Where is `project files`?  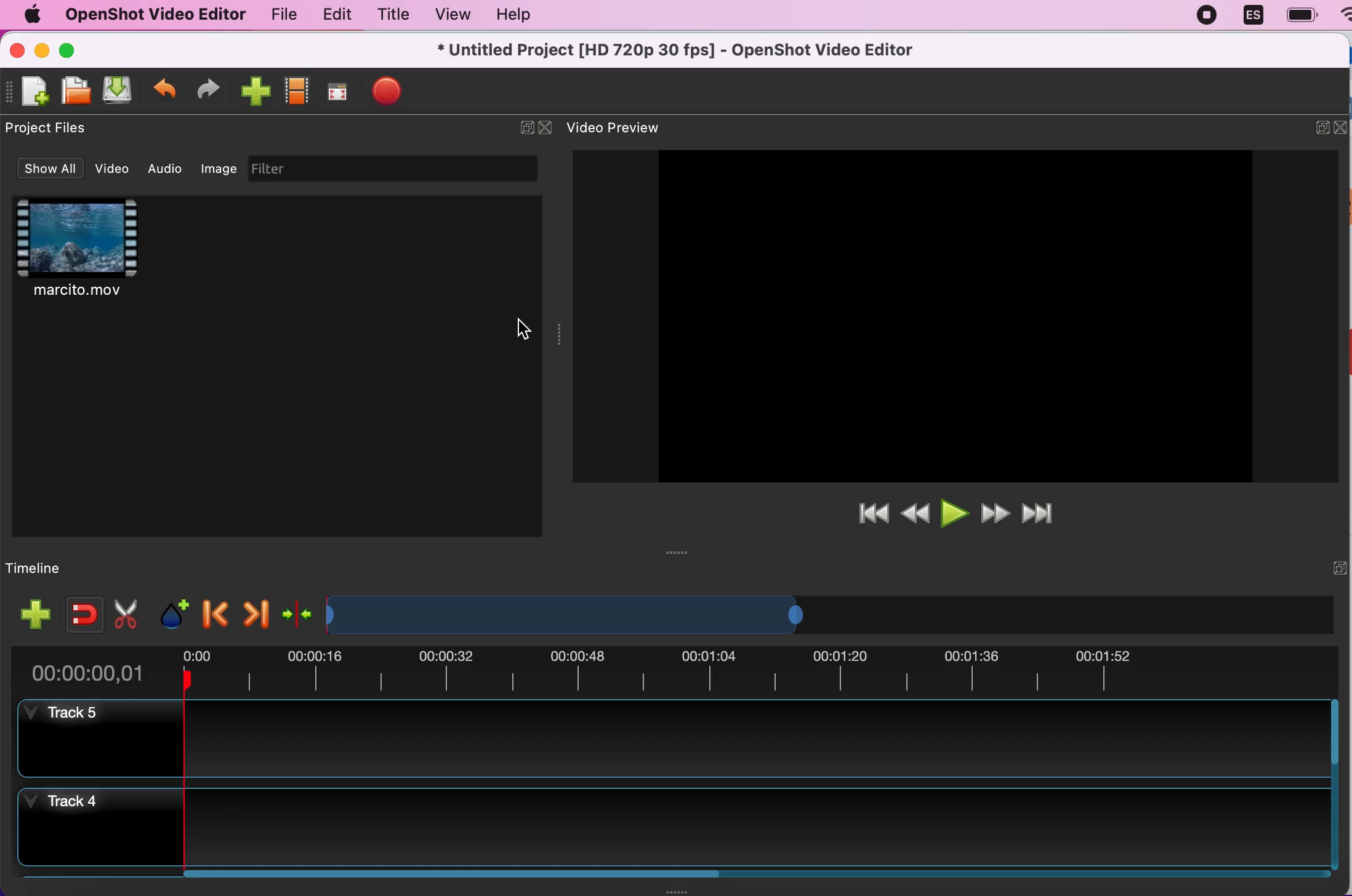
project files is located at coordinates (48, 127).